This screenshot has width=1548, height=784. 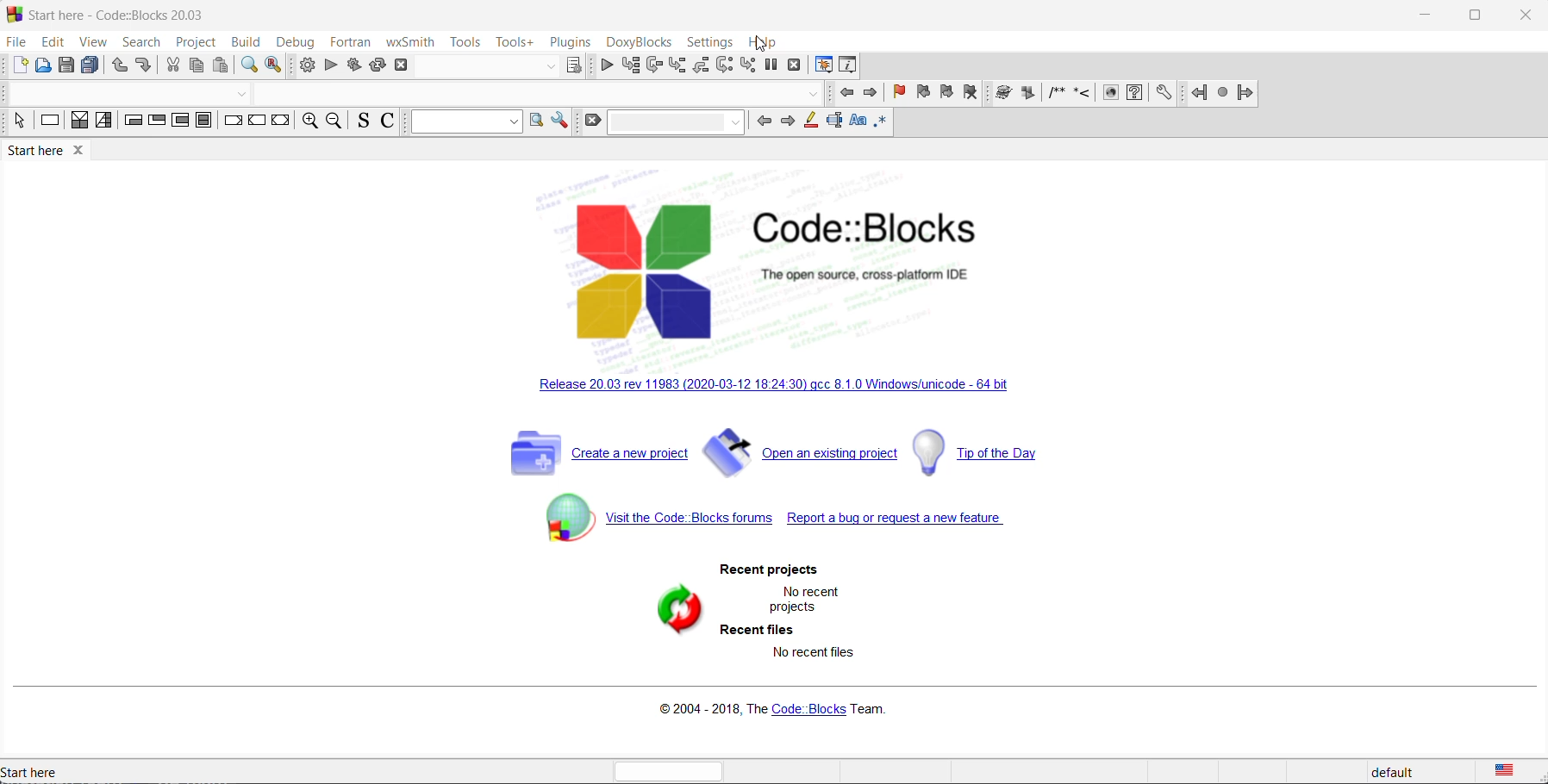 What do you see at coordinates (79, 121) in the screenshot?
I see `decision` at bounding box center [79, 121].